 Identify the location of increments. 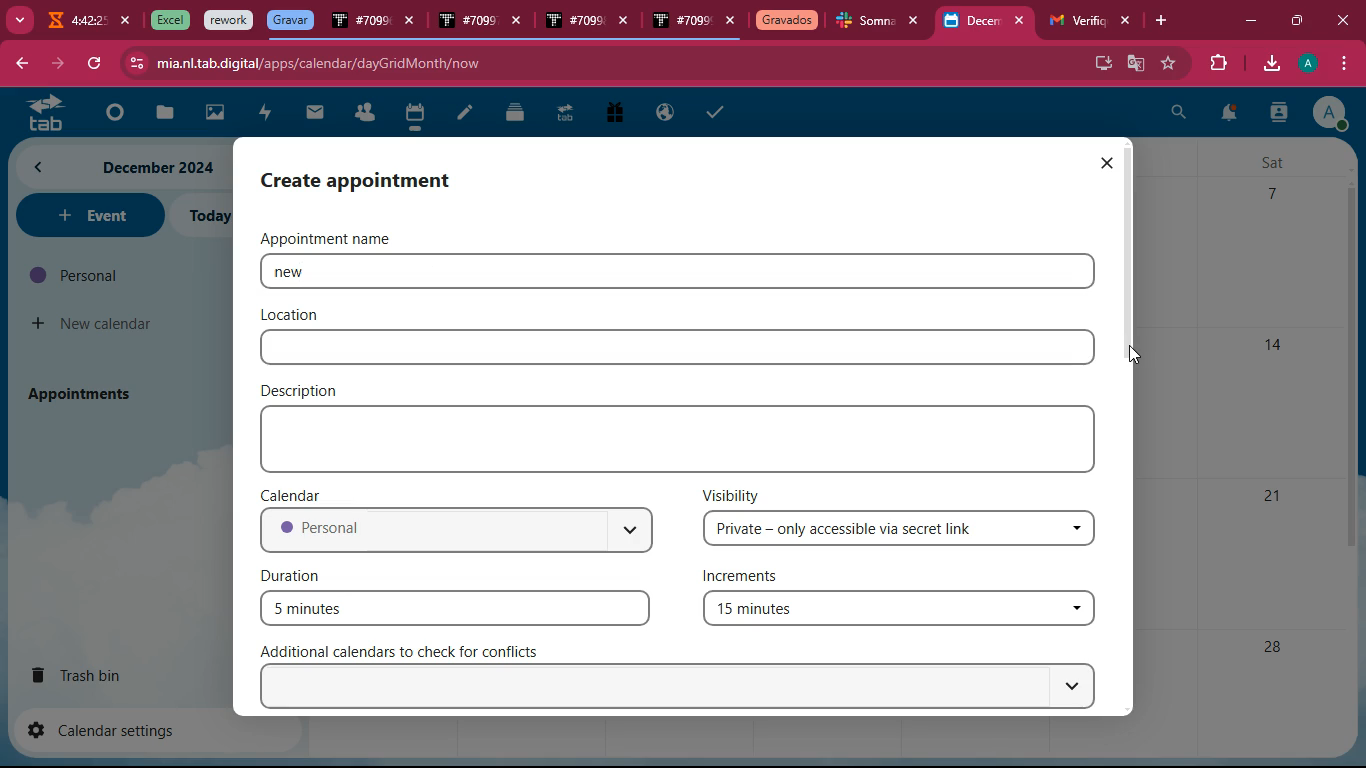
(752, 578).